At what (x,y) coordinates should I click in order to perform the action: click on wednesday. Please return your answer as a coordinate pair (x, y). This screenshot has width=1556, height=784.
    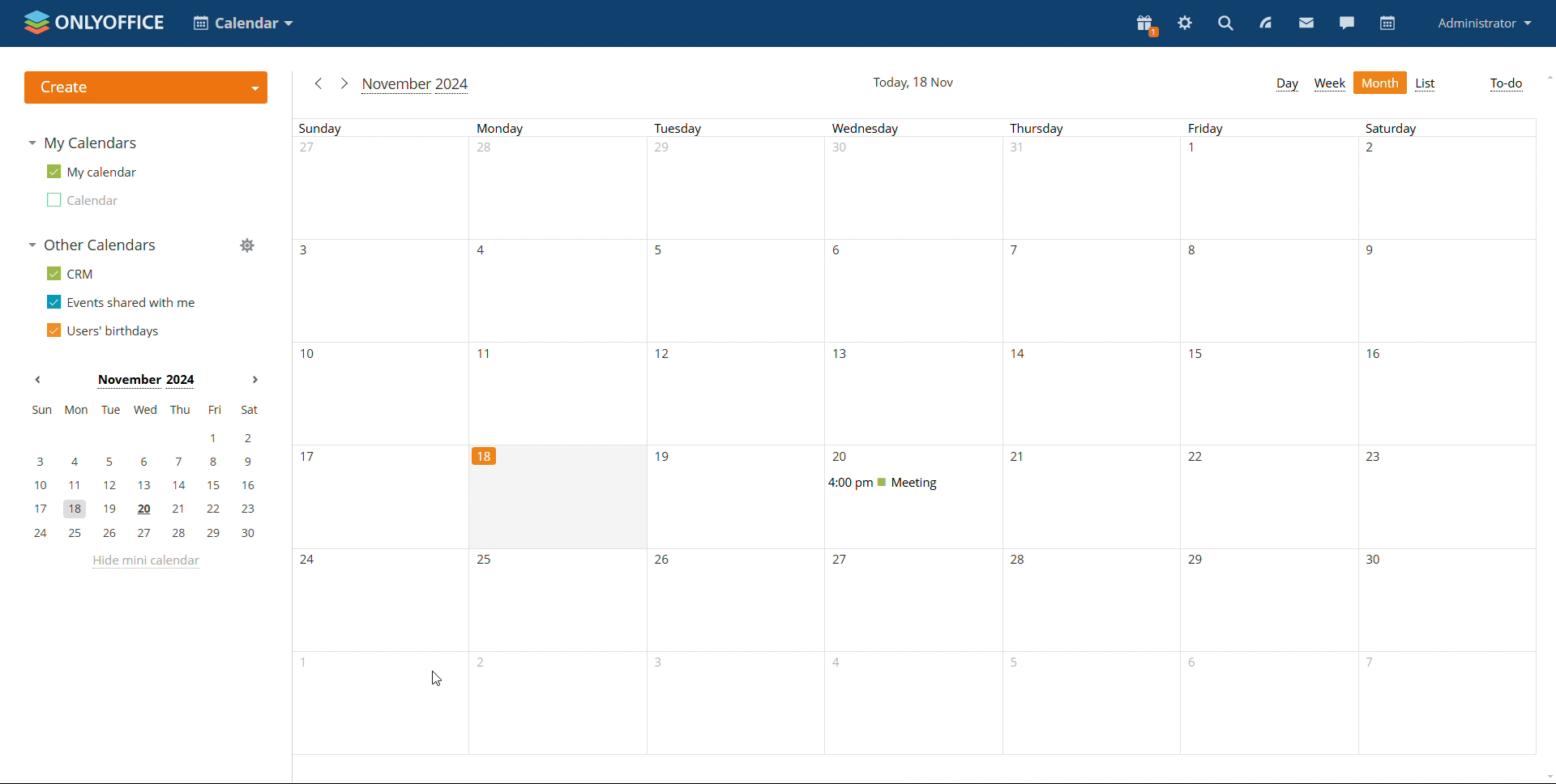
    Looking at the image, I should click on (915, 281).